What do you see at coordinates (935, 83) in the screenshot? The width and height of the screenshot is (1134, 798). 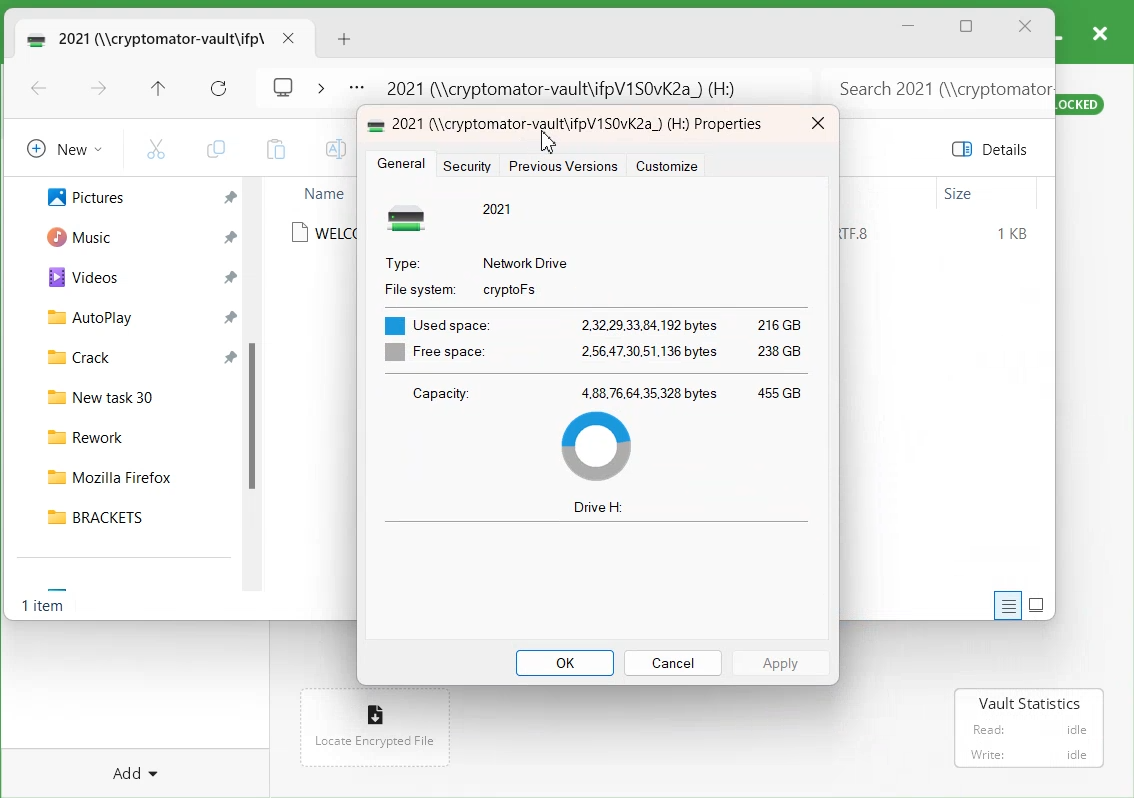 I see `Search bar` at bounding box center [935, 83].